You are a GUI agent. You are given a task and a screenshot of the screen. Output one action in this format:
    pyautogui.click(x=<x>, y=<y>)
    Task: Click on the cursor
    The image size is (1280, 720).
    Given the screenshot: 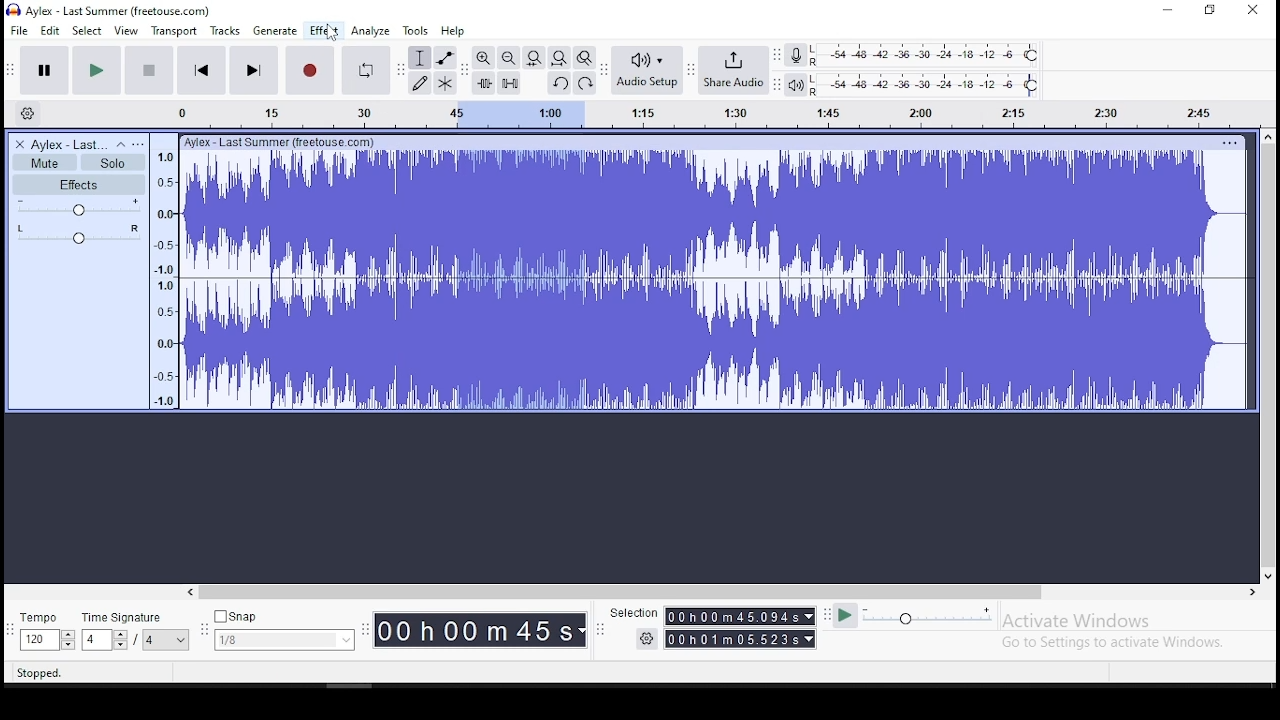 What is the action you would take?
    pyautogui.click(x=332, y=35)
    